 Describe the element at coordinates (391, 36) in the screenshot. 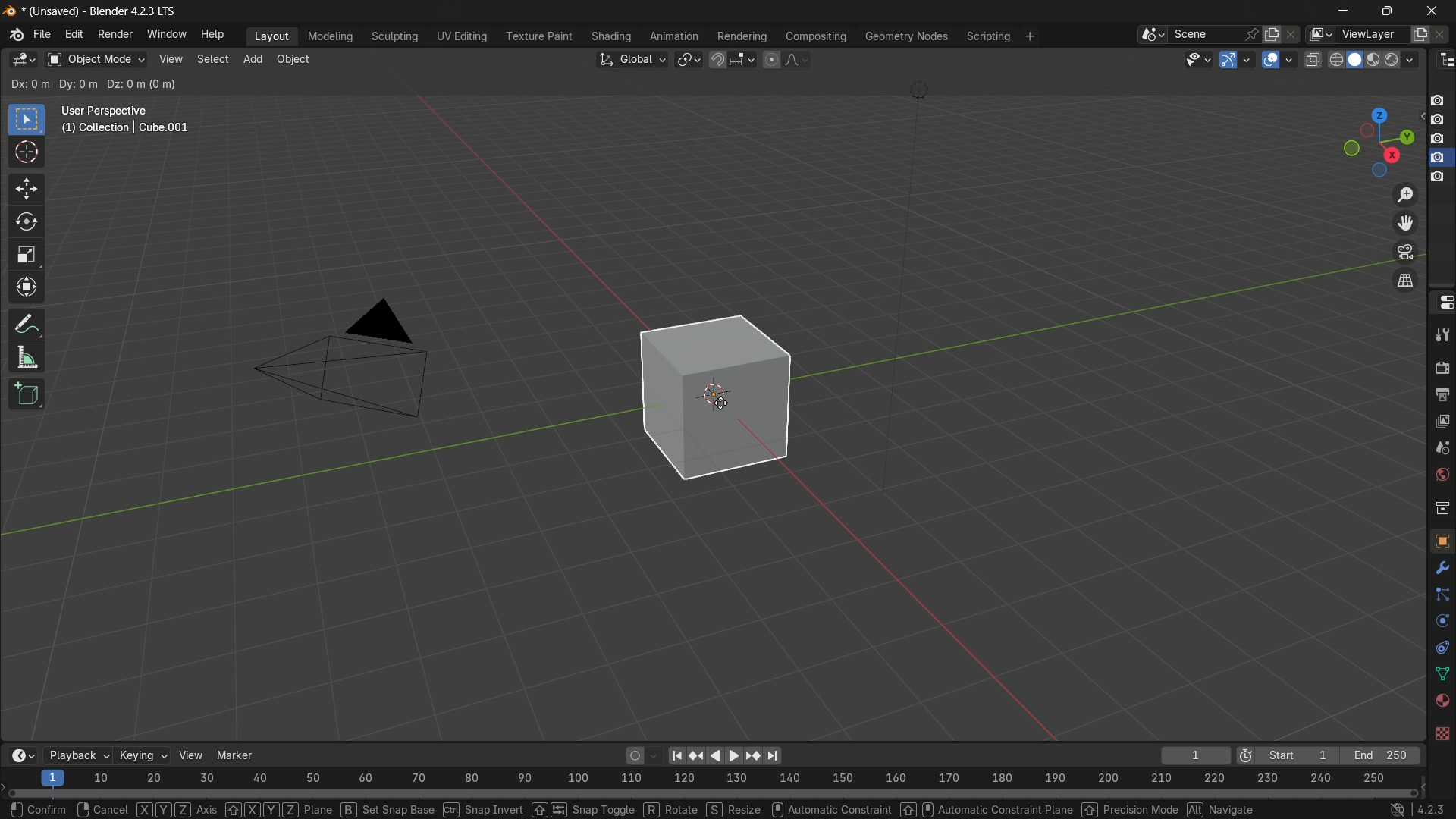

I see `sculpting menu` at that location.